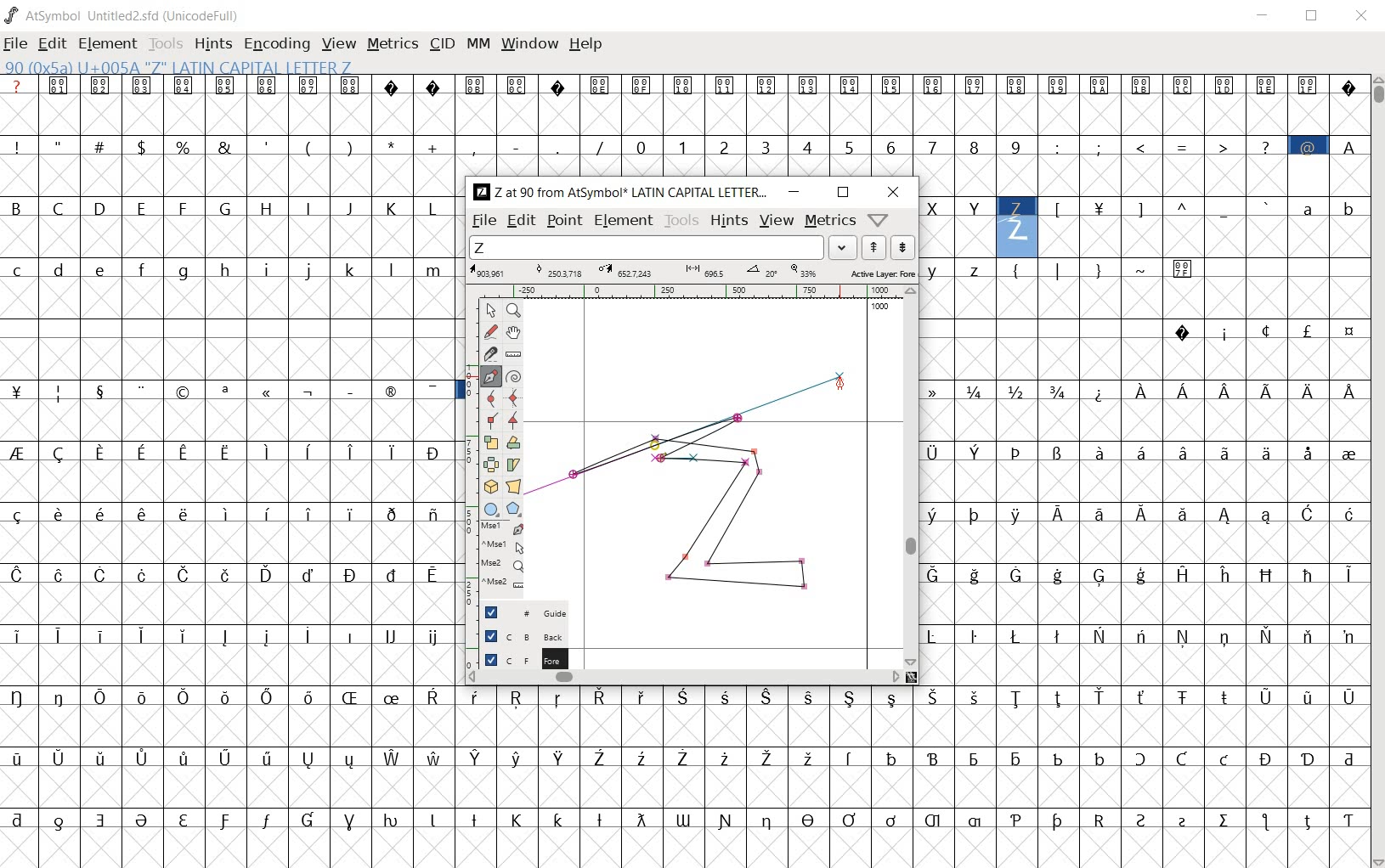 The width and height of the screenshot is (1385, 868). What do you see at coordinates (489, 376) in the screenshot?
I see `add a point, then drag out its control points` at bounding box center [489, 376].